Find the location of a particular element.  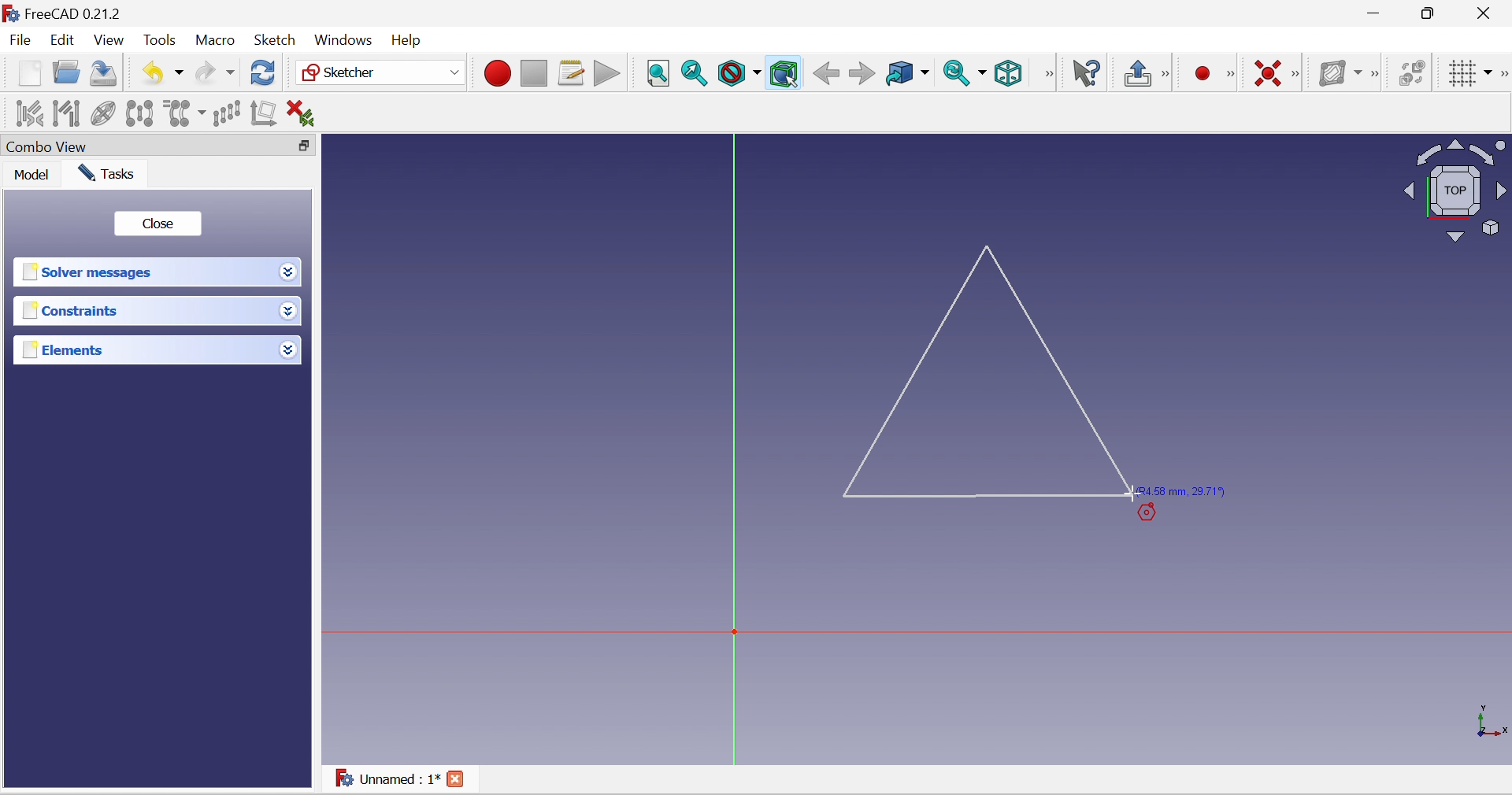

Close is located at coordinates (160, 224).